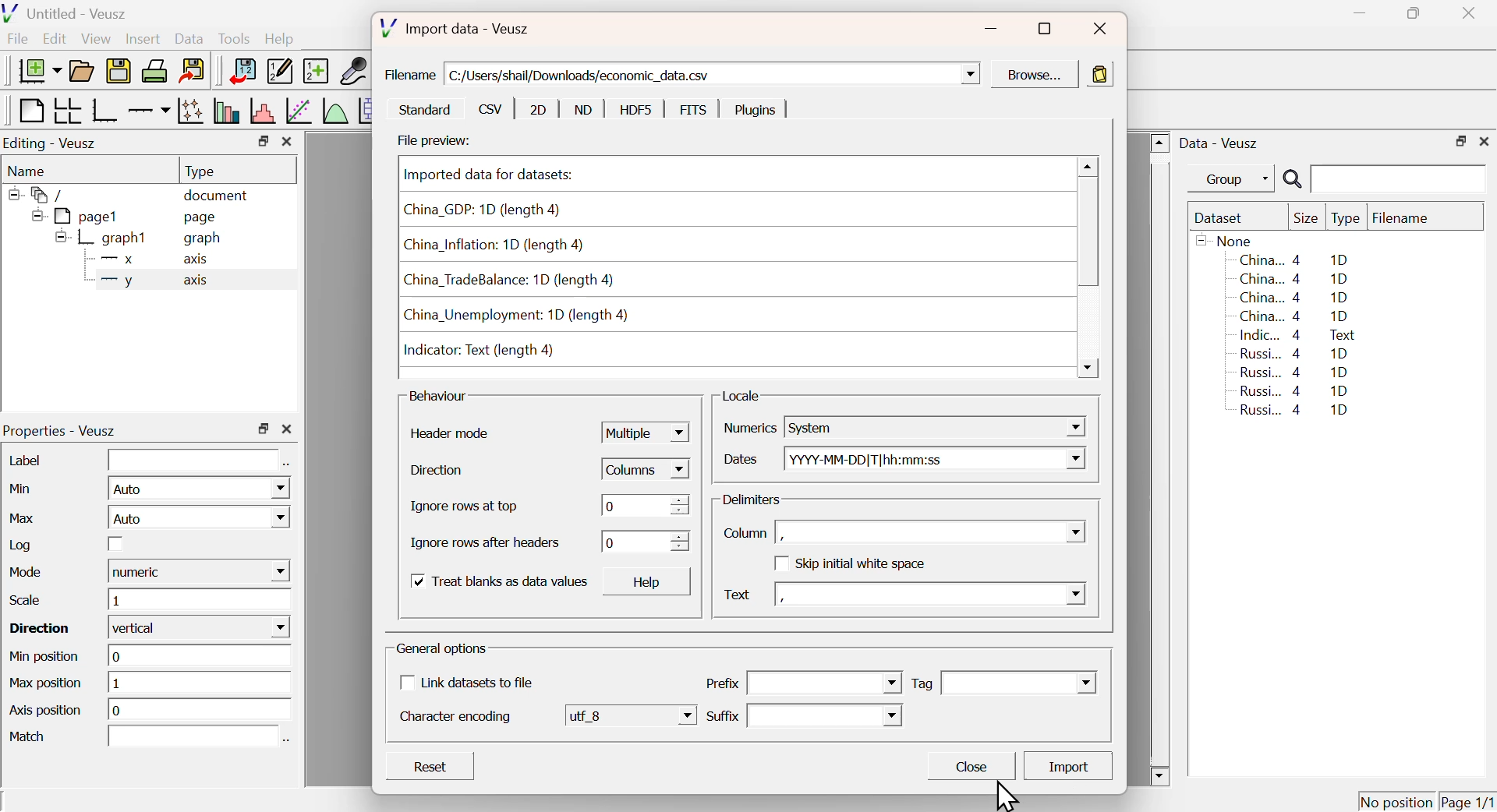  Describe the element at coordinates (333, 111) in the screenshot. I see `Plot a function` at that location.